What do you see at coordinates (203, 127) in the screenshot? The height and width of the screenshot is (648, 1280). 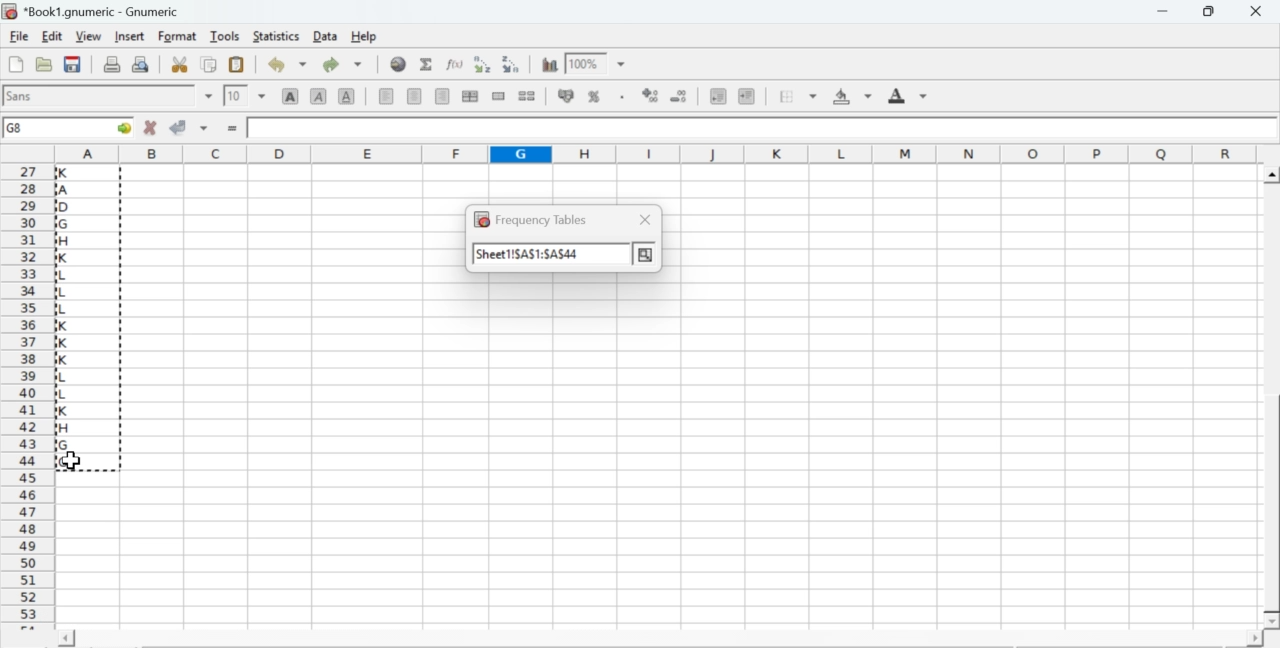 I see `accept changes across selection` at bounding box center [203, 127].